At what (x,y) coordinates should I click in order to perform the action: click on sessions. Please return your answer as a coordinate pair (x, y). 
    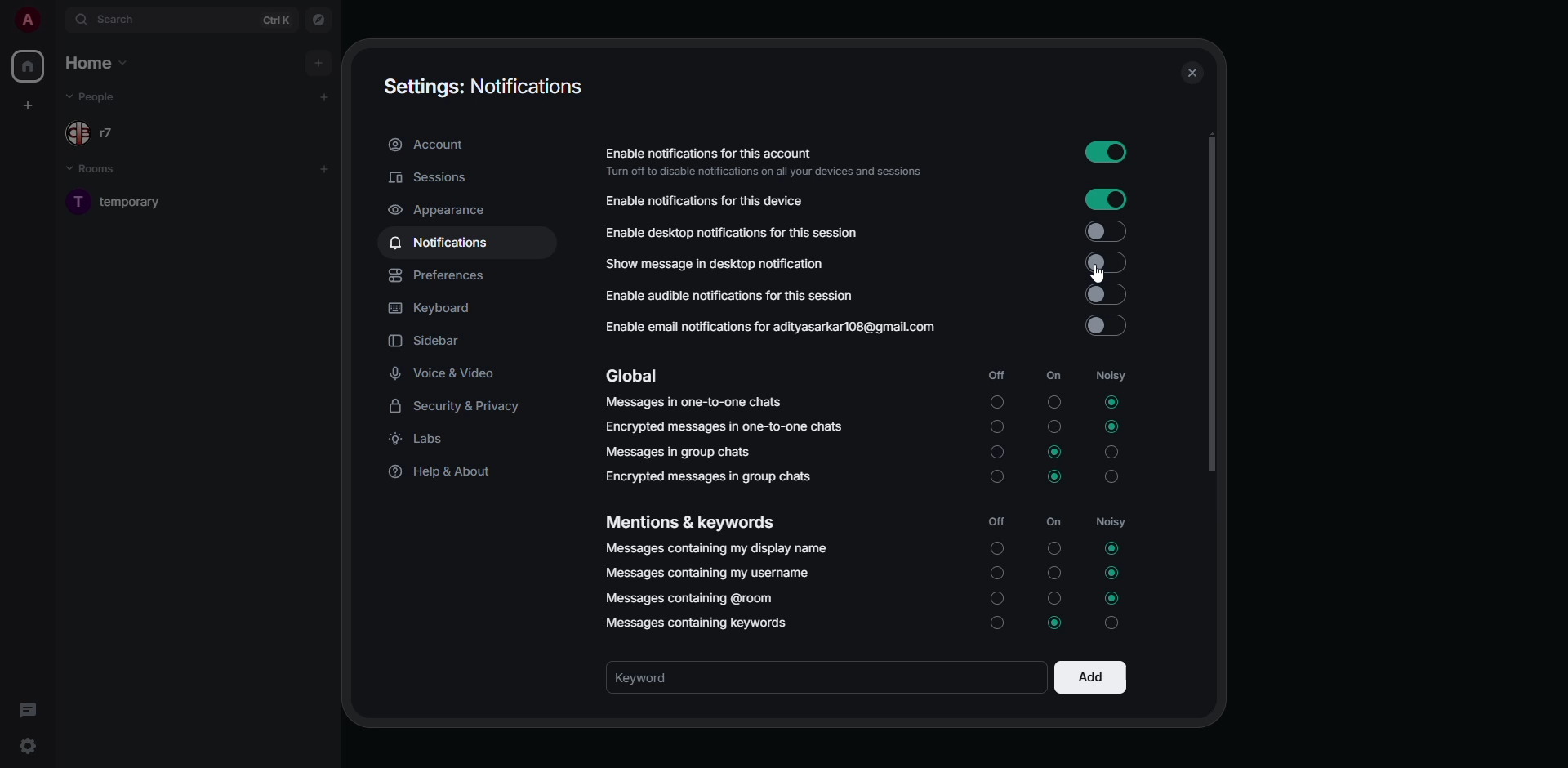
    Looking at the image, I should click on (430, 178).